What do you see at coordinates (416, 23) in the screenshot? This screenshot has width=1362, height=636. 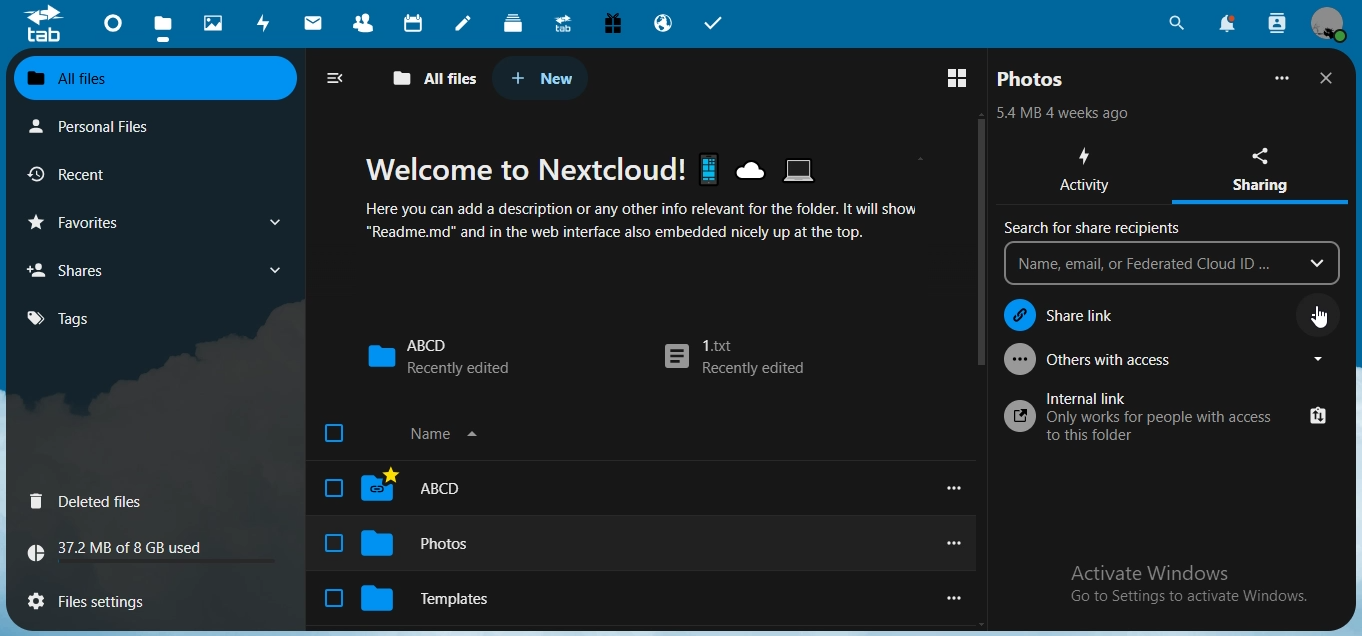 I see `calendar` at bounding box center [416, 23].